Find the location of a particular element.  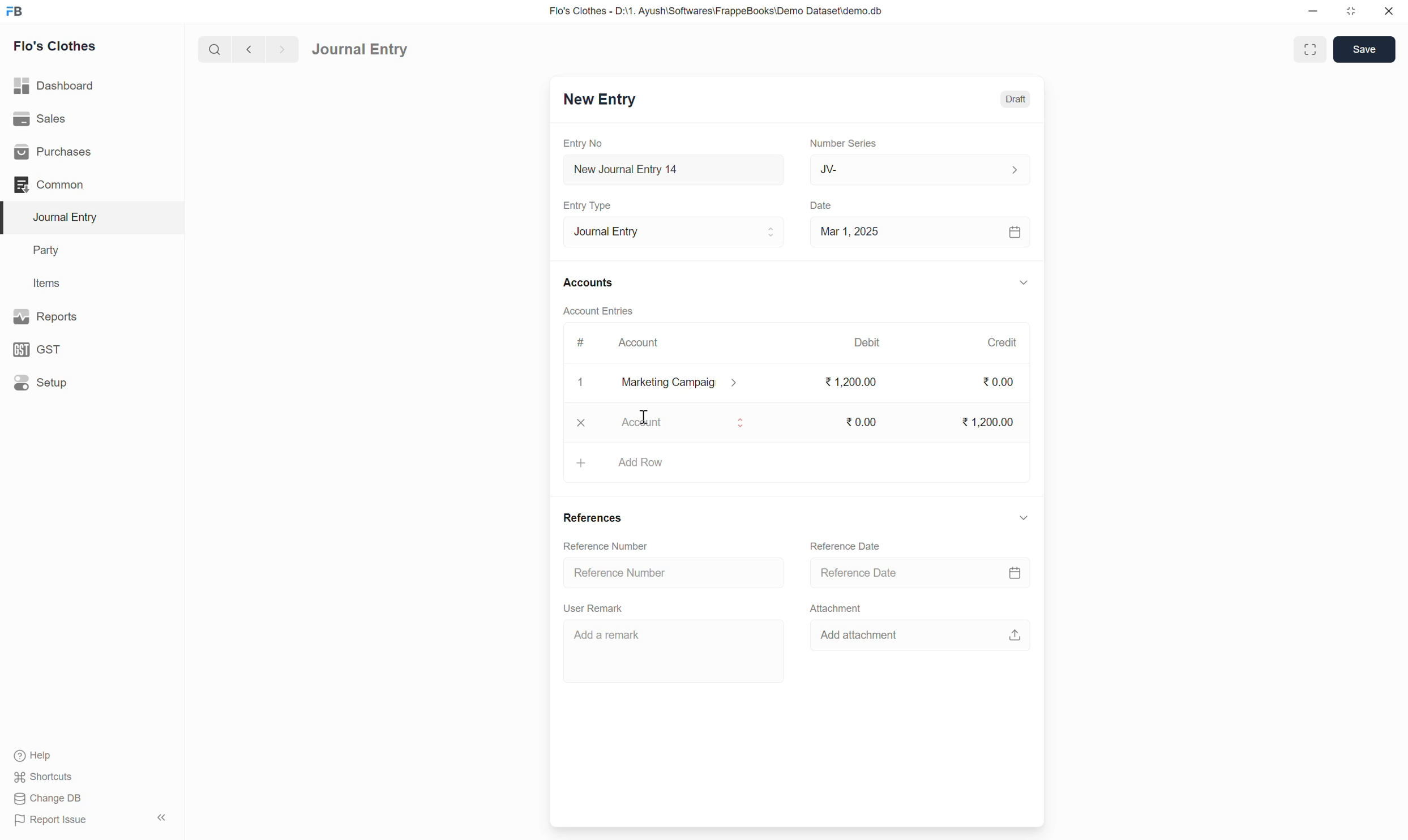

marketing campaig is located at coordinates (688, 383).